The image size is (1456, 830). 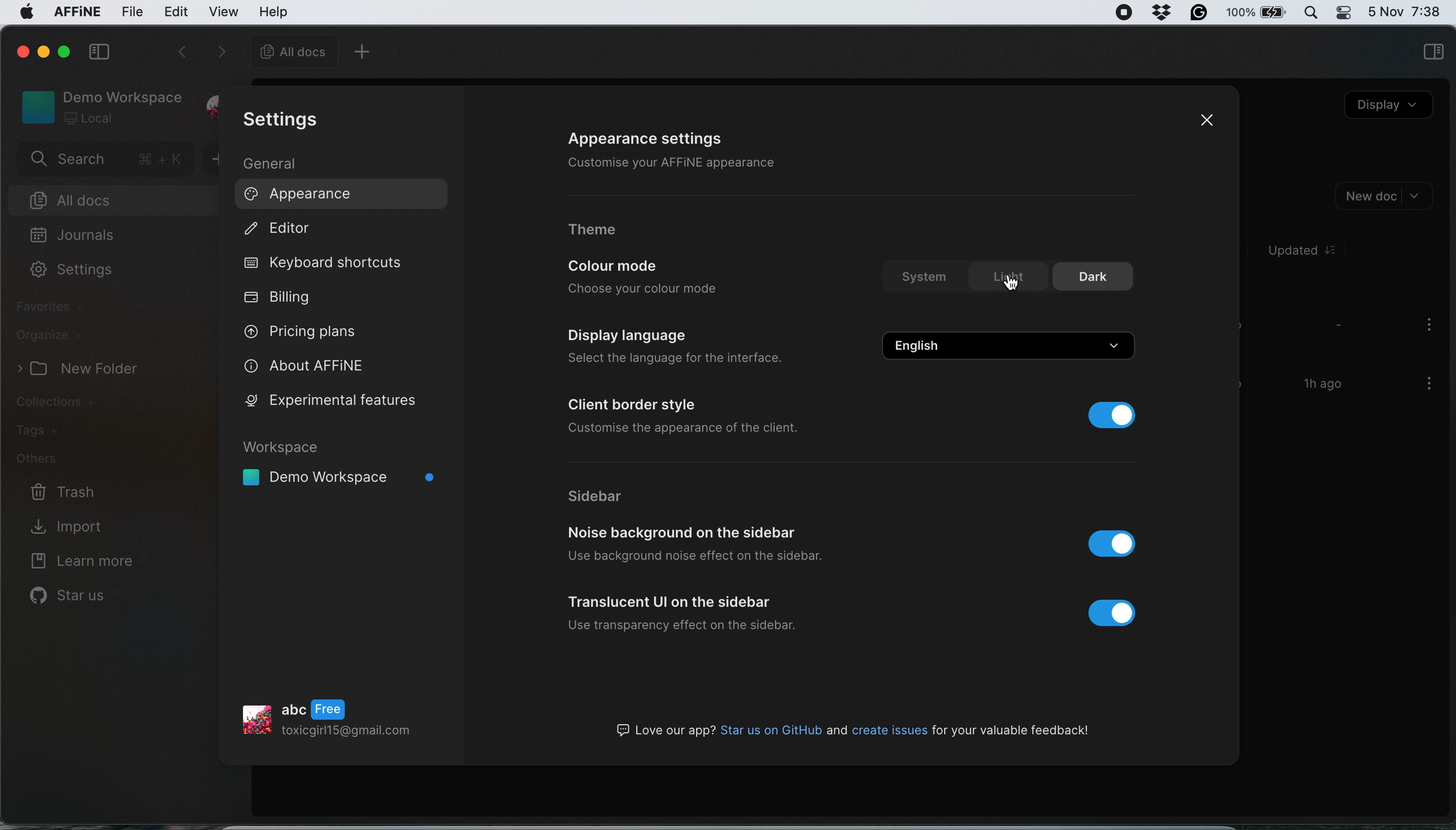 I want to click on english, so click(x=1012, y=343).